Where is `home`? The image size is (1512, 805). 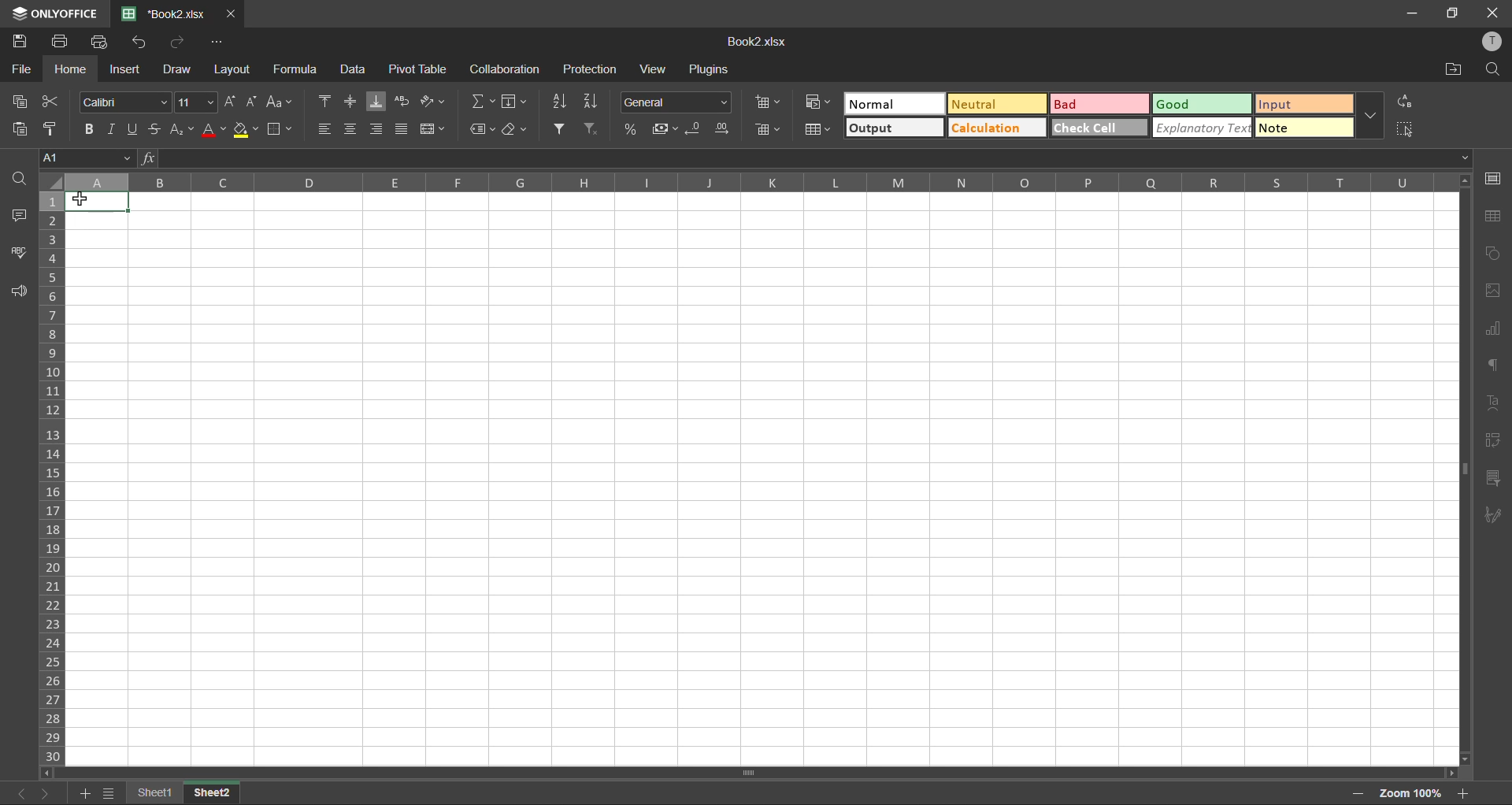 home is located at coordinates (71, 69).